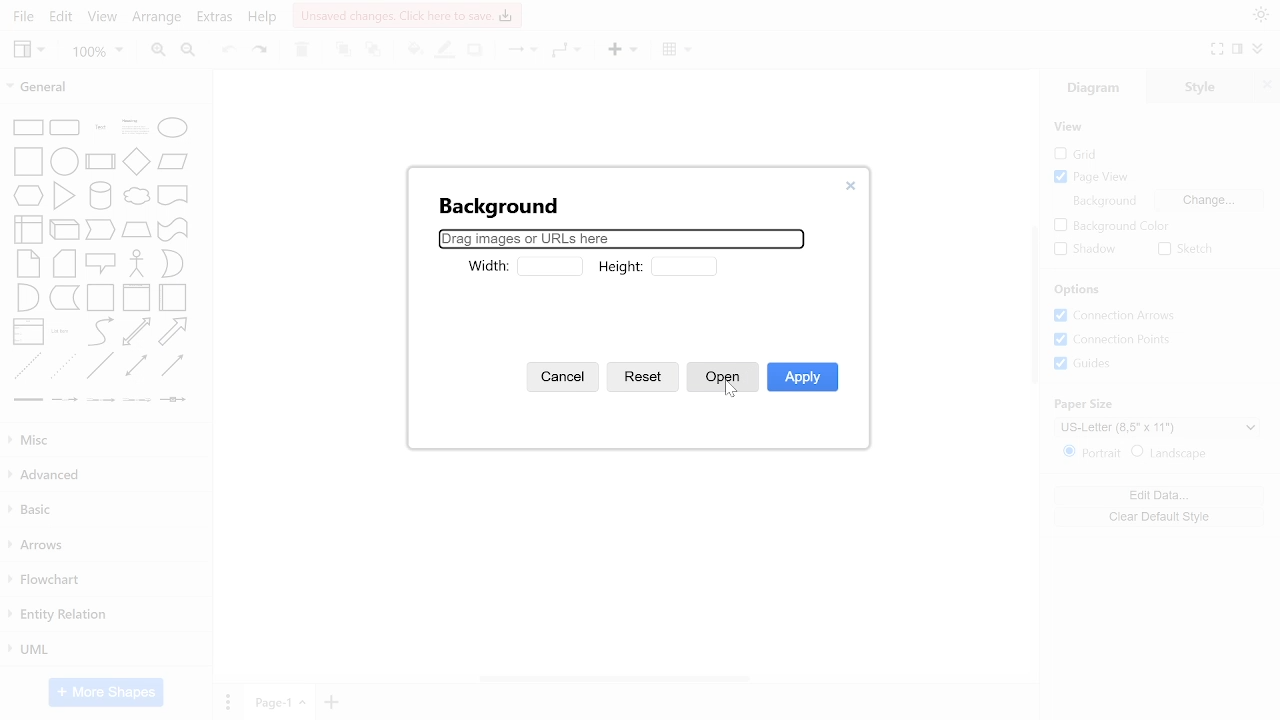 This screenshot has width=1280, height=720. What do you see at coordinates (494, 204) in the screenshot?
I see `Background` at bounding box center [494, 204].